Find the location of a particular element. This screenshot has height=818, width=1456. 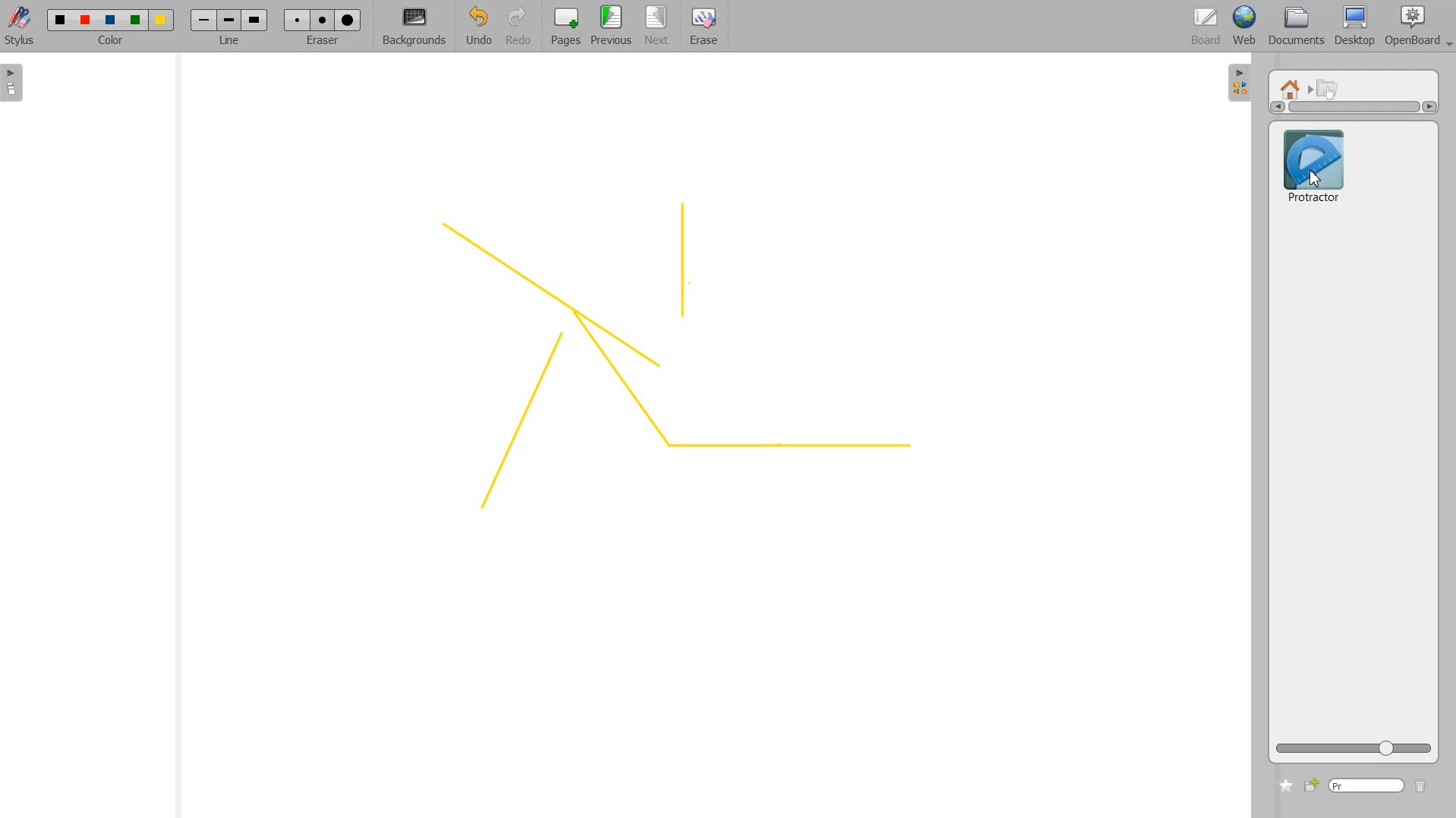

color is located at coordinates (112, 42).